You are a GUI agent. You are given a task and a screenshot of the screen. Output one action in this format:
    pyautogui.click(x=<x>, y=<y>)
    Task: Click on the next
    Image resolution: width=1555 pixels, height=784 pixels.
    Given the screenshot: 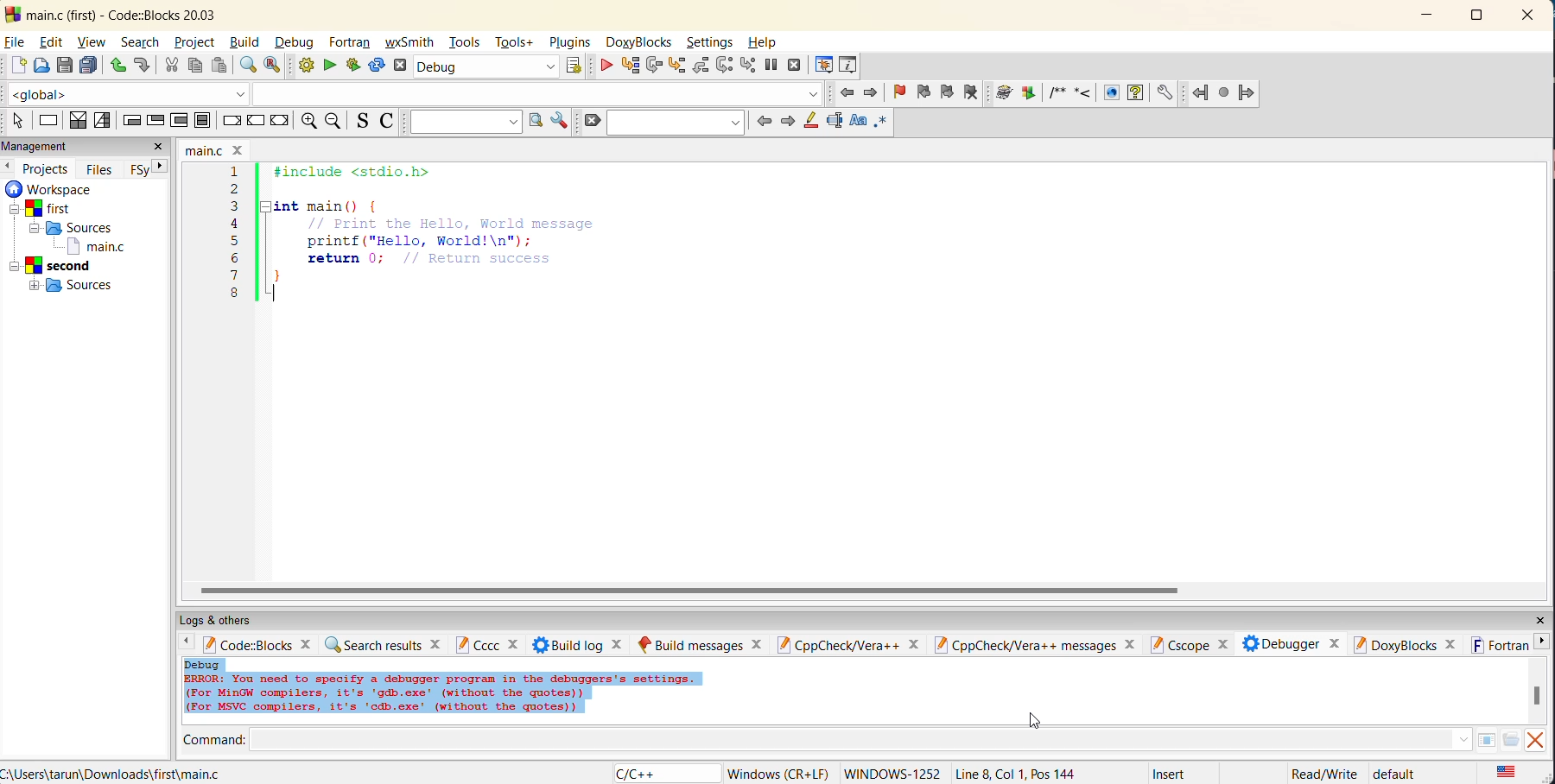 What is the action you would take?
    pyautogui.click(x=155, y=168)
    